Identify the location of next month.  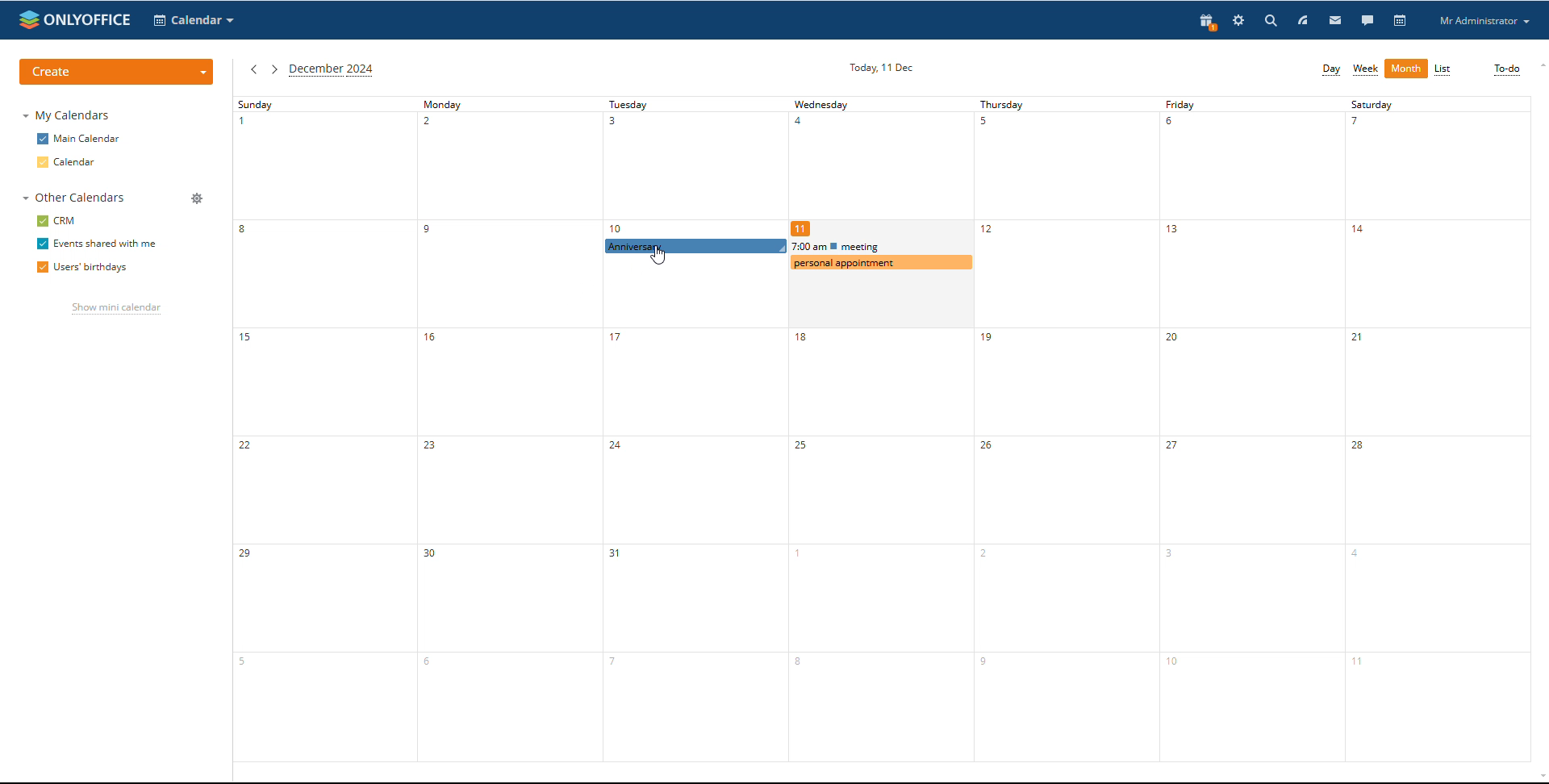
(273, 70).